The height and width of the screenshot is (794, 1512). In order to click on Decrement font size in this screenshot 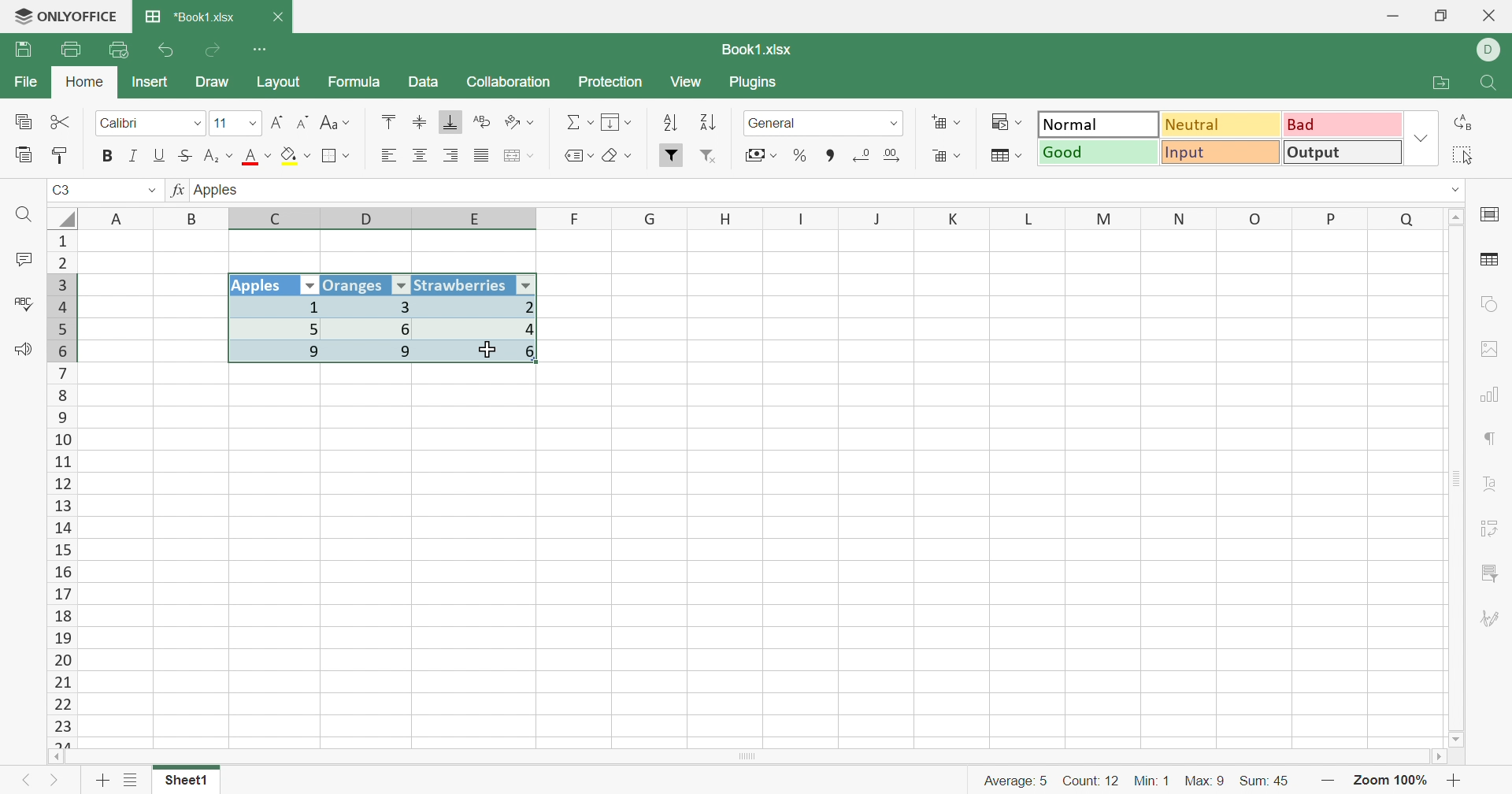, I will do `click(303, 123)`.